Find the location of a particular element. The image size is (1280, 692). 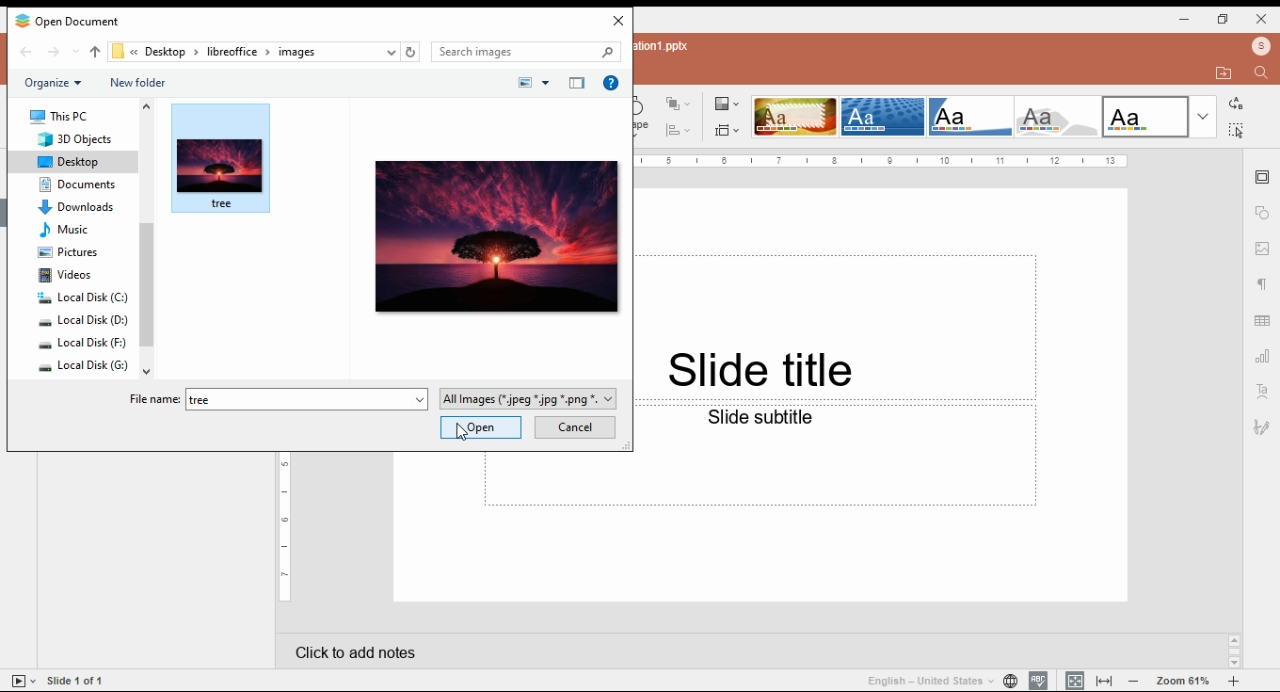

language is located at coordinates (935, 682).